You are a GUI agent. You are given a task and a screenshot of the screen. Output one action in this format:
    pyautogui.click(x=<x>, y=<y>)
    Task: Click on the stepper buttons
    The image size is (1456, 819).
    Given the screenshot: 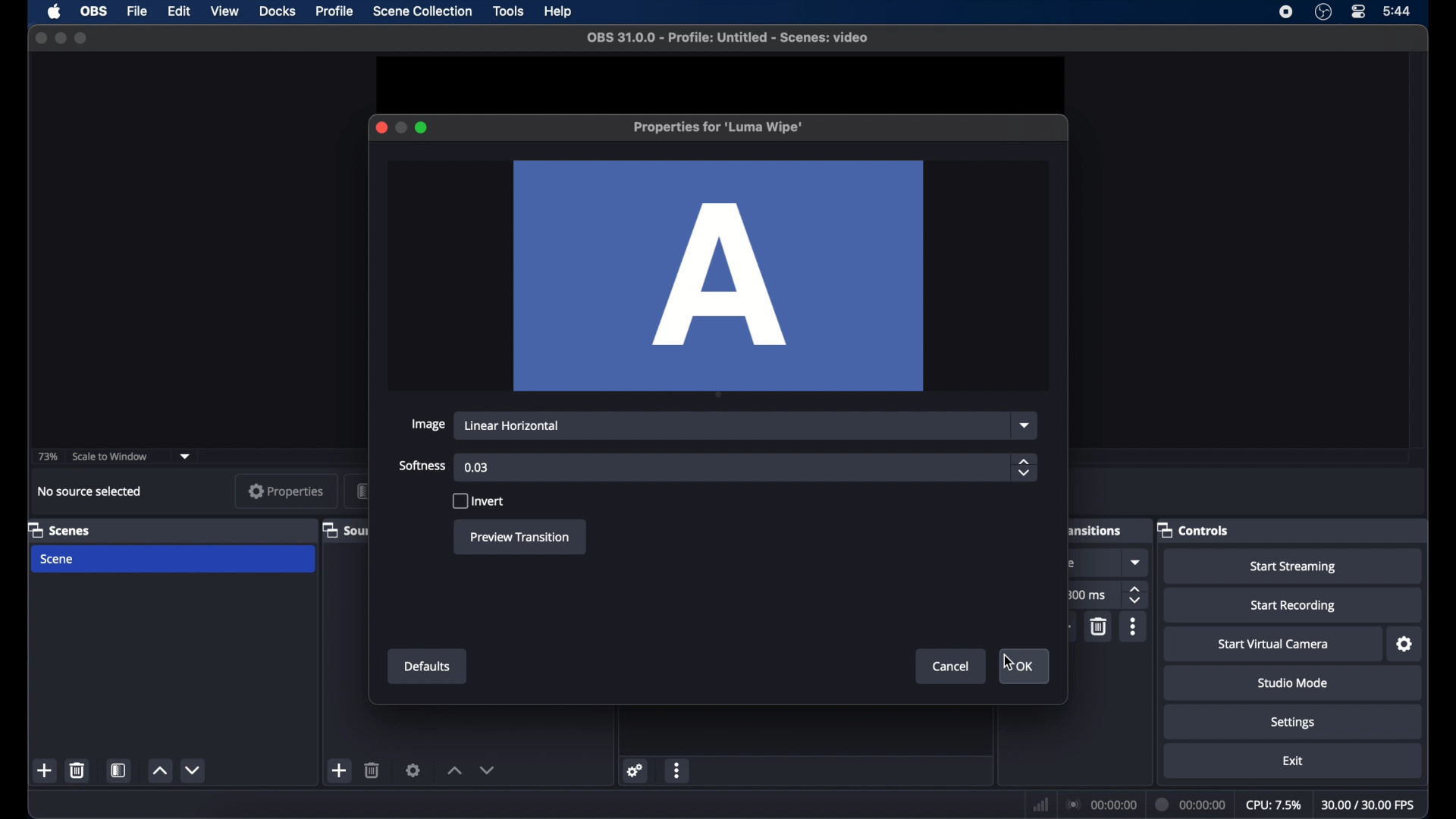 What is the action you would take?
    pyautogui.click(x=1136, y=595)
    